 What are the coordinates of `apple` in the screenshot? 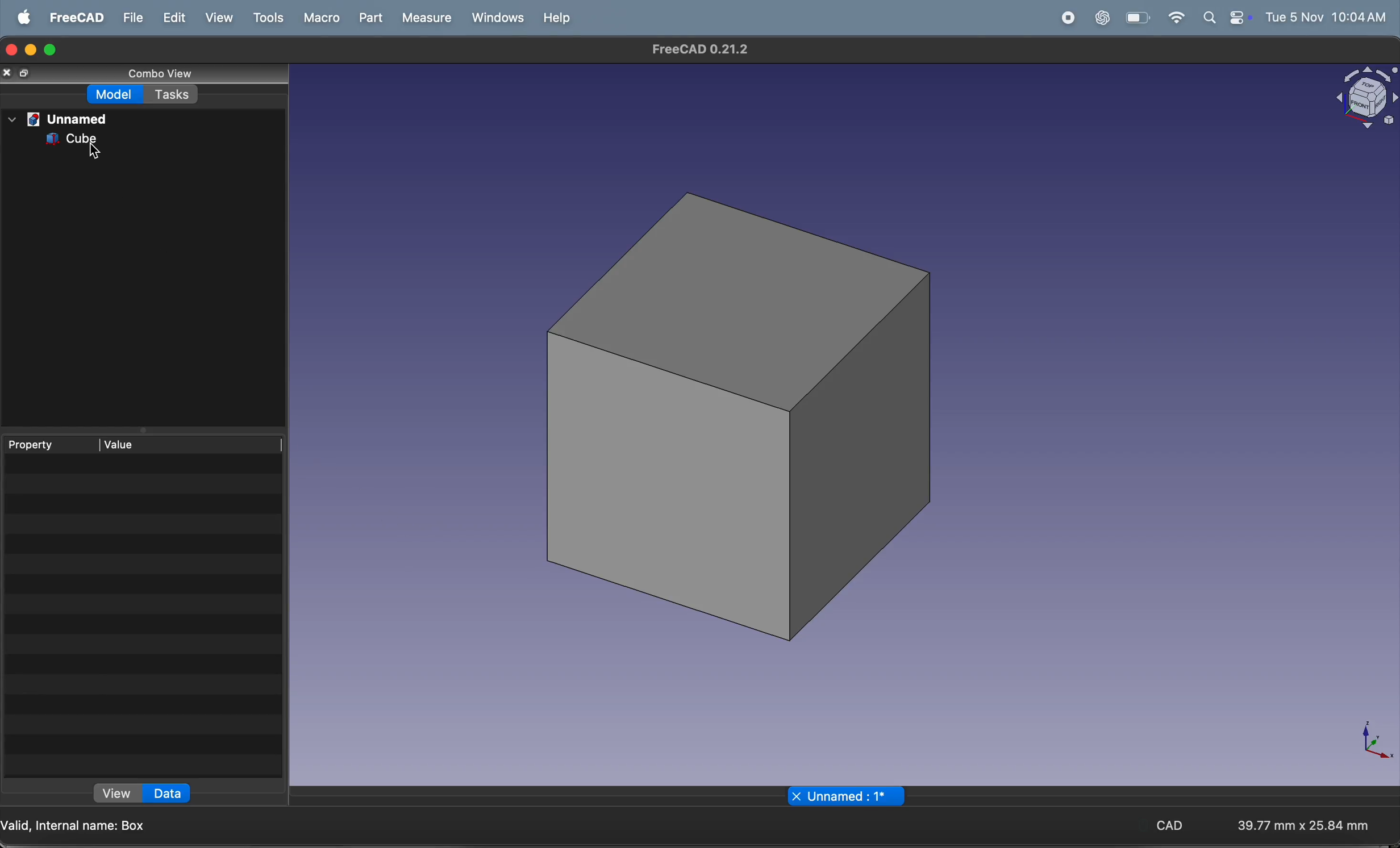 It's located at (21, 17).